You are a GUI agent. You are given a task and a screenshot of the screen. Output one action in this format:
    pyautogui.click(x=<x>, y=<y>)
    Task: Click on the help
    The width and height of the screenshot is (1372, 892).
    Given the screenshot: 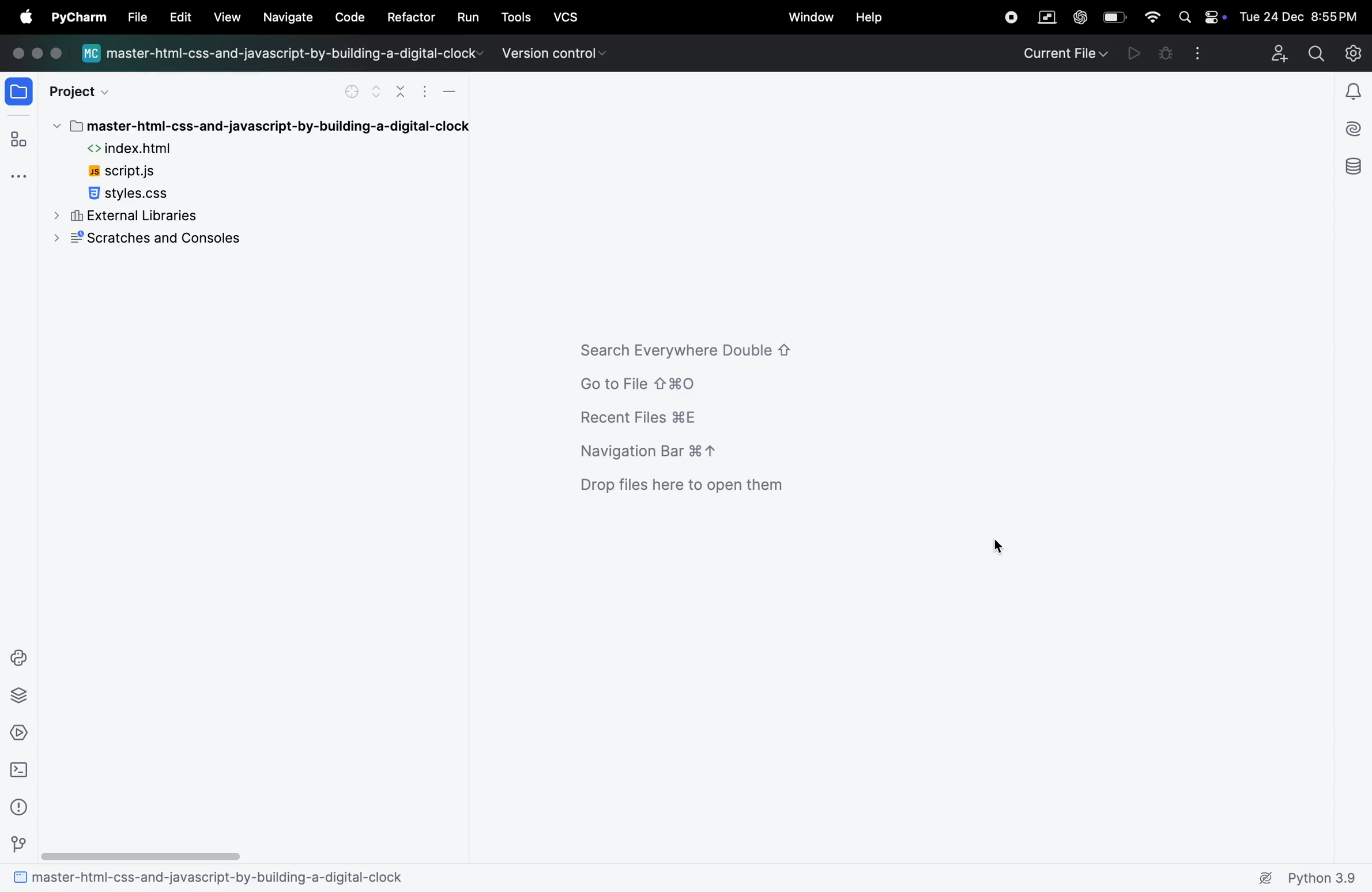 What is the action you would take?
    pyautogui.click(x=175, y=16)
    